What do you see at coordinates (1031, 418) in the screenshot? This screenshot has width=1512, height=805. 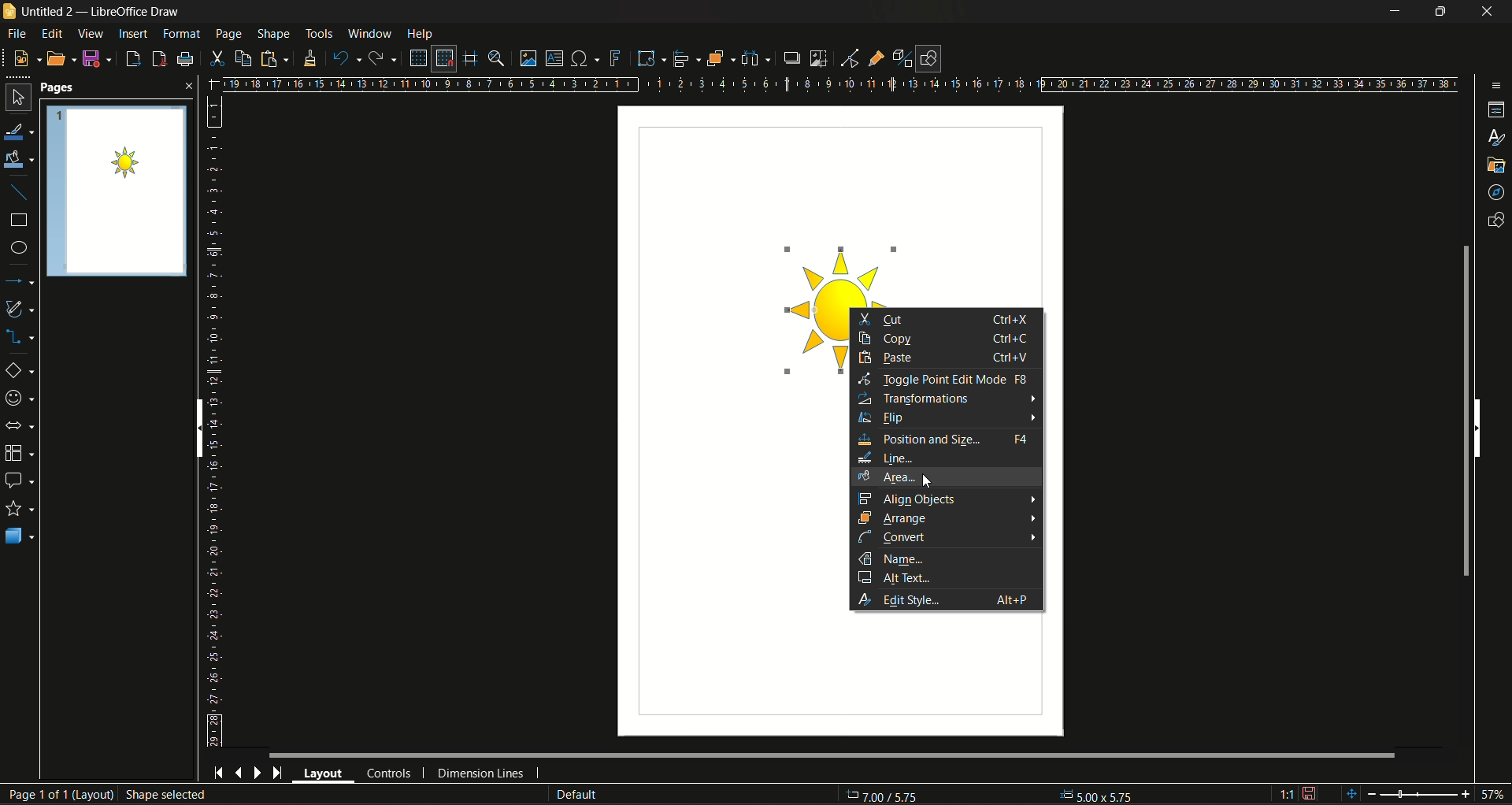 I see `arrow` at bounding box center [1031, 418].